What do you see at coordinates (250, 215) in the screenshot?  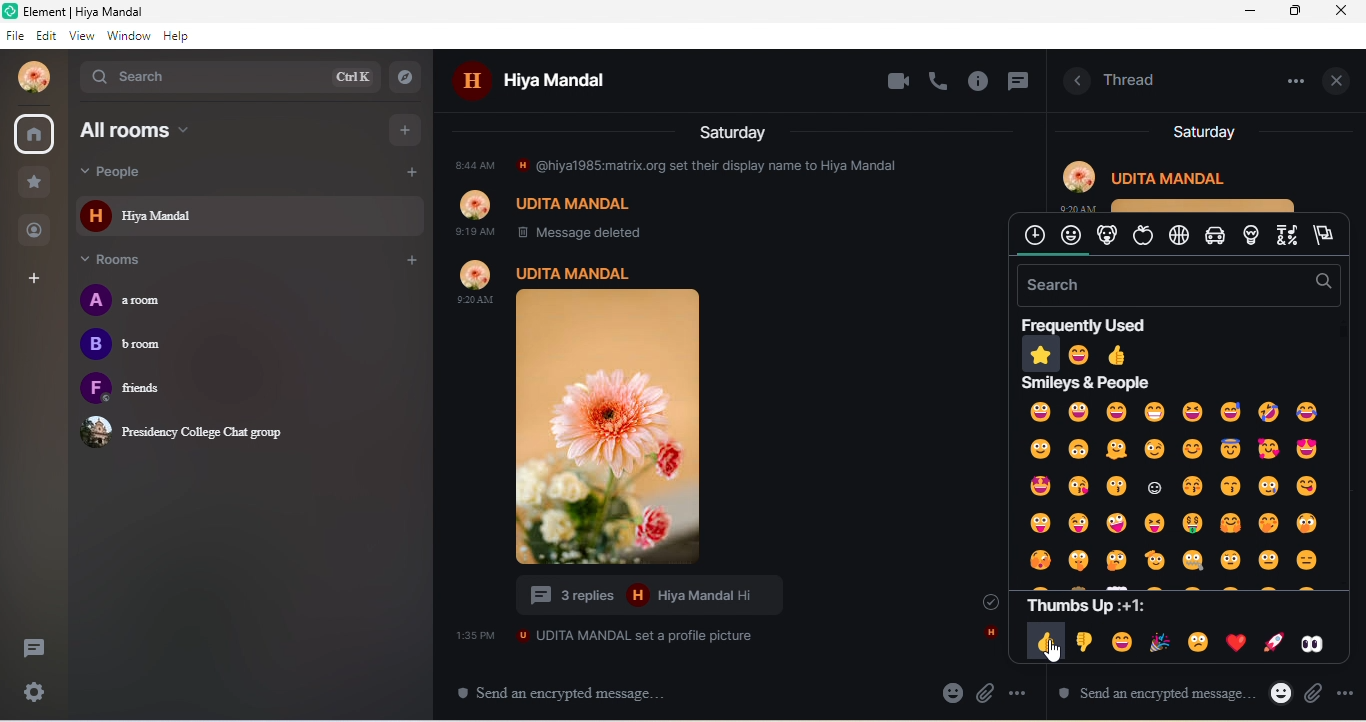 I see `hiya mandal` at bounding box center [250, 215].